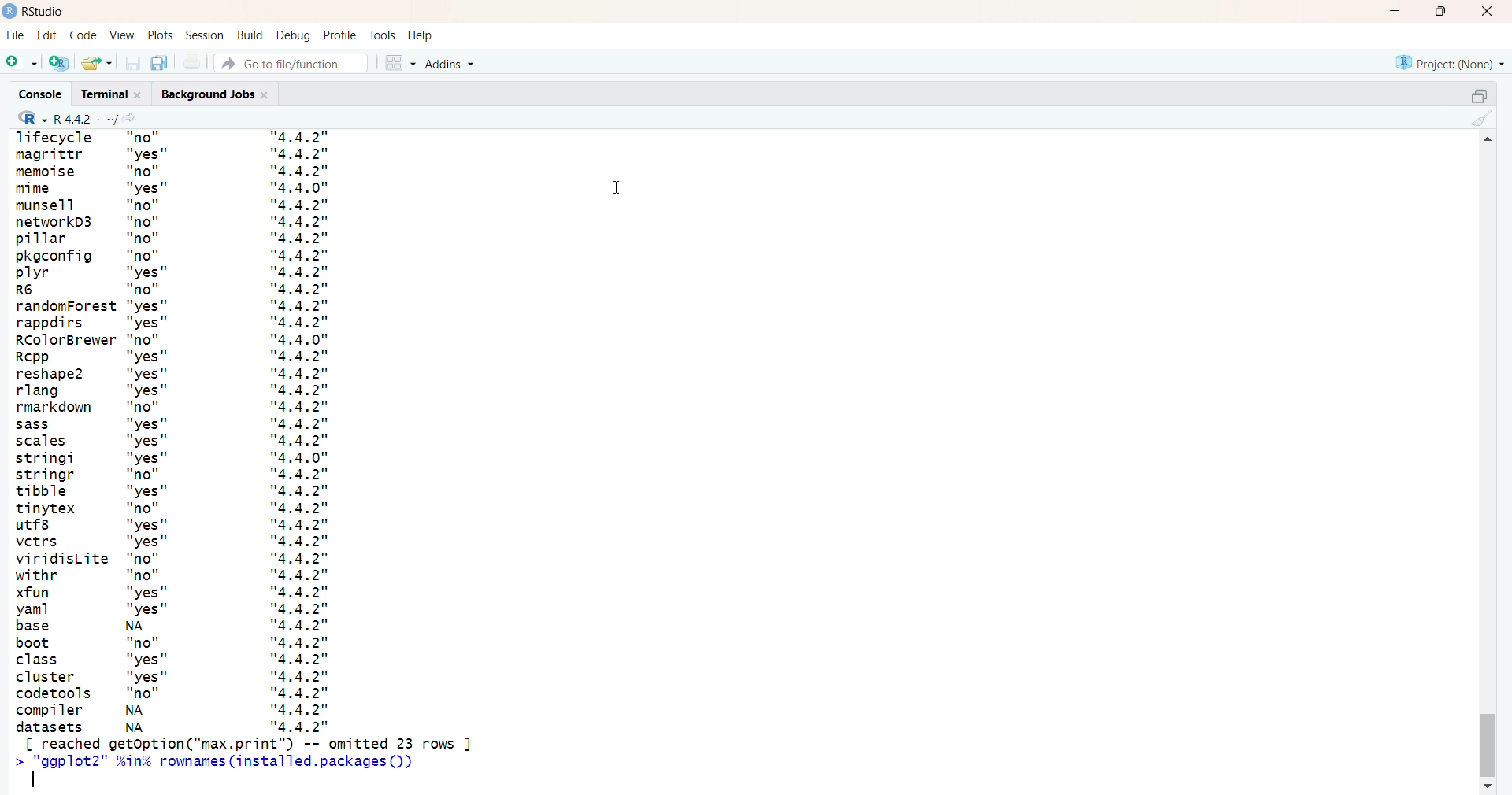  Describe the element at coordinates (98, 62) in the screenshot. I see `open an existing file` at that location.